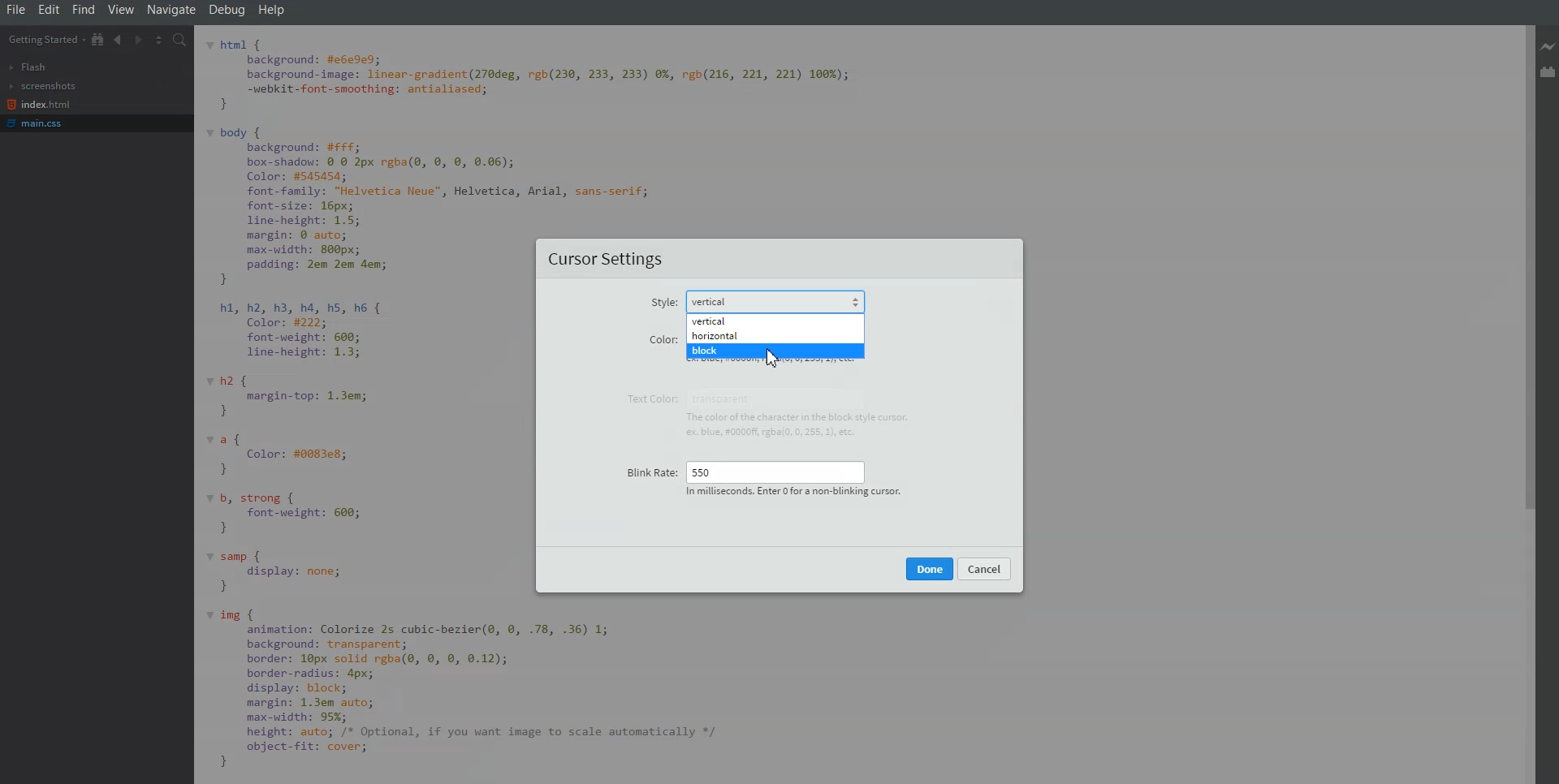 Image resolution: width=1559 pixels, height=784 pixels. I want to click on Navigate Backwards, so click(119, 39).